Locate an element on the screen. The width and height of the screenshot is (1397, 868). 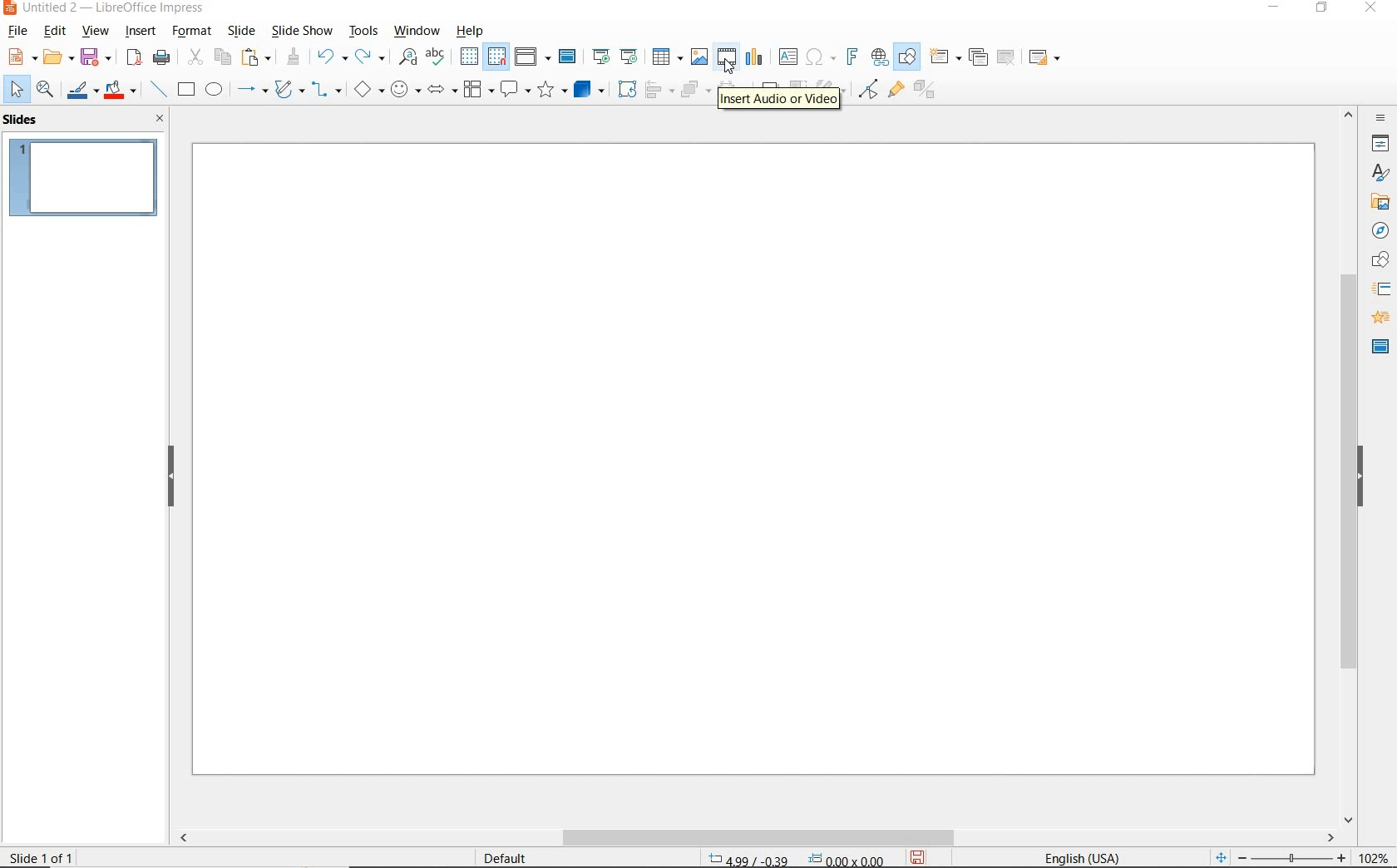
INSERT AUDIO OR VIDEO is located at coordinates (777, 96).